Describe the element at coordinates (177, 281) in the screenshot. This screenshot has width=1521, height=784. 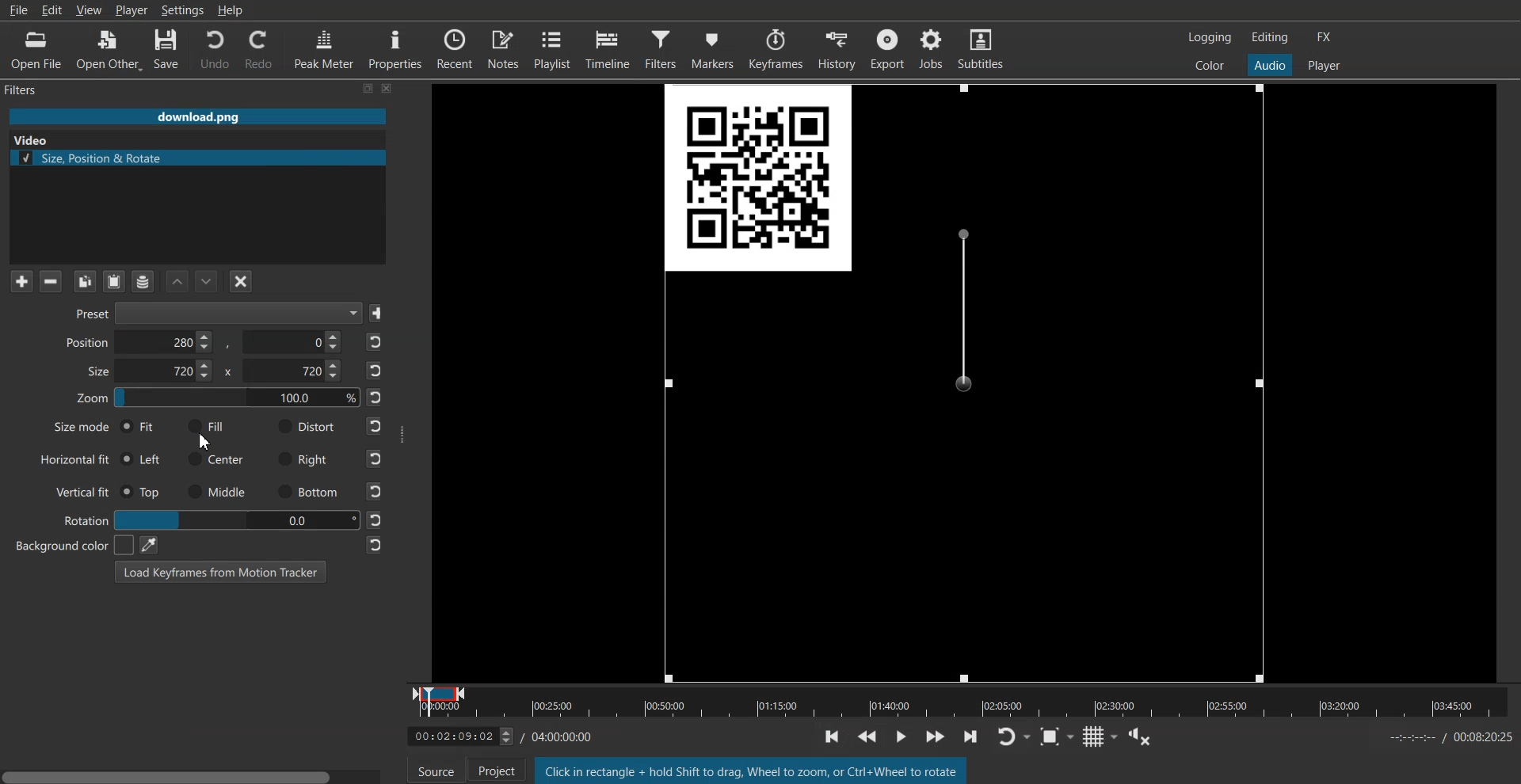
I see `Move filter up` at that location.